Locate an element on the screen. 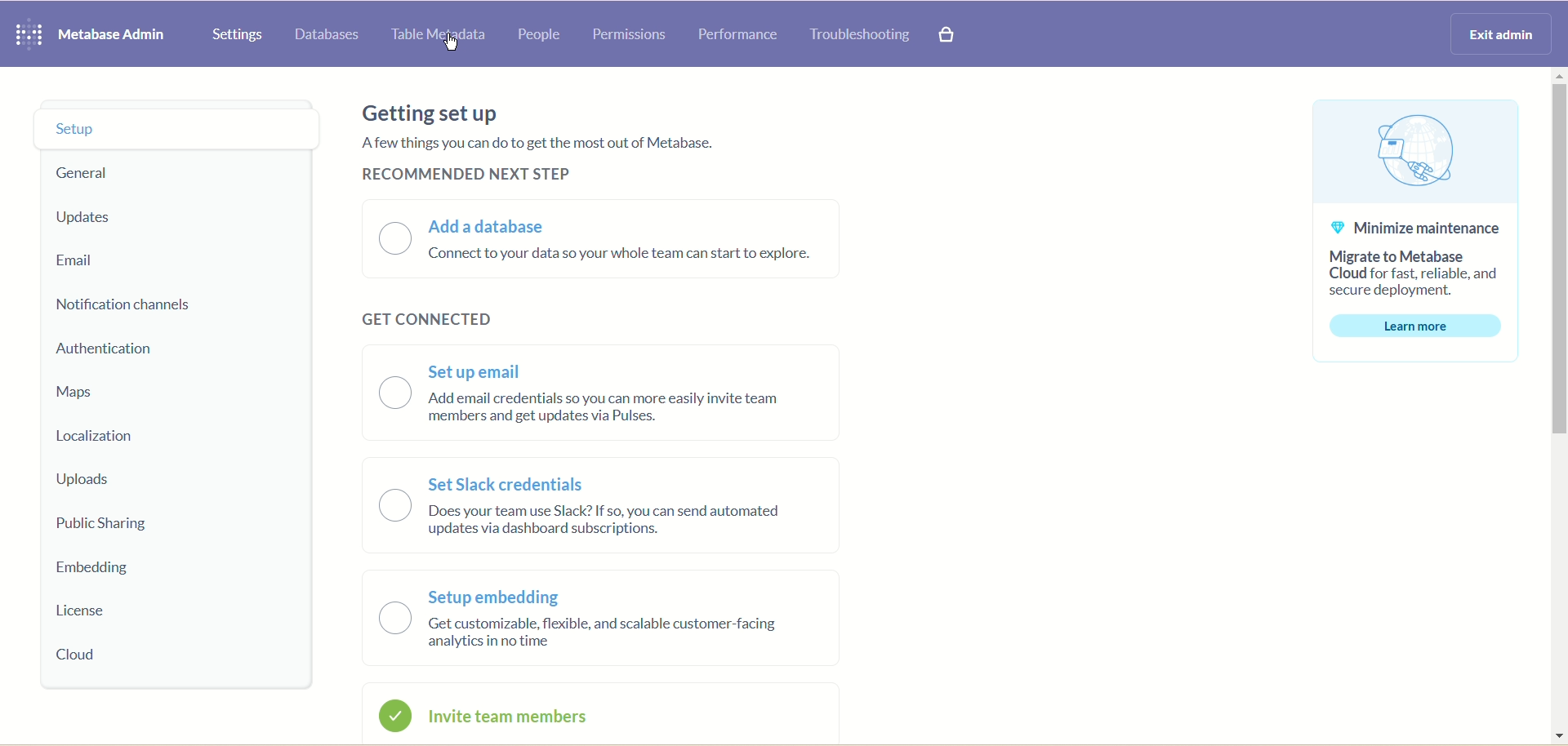 The height and width of the screenshot is (746, 1568). Invite members is located at coordinates (591, 713).